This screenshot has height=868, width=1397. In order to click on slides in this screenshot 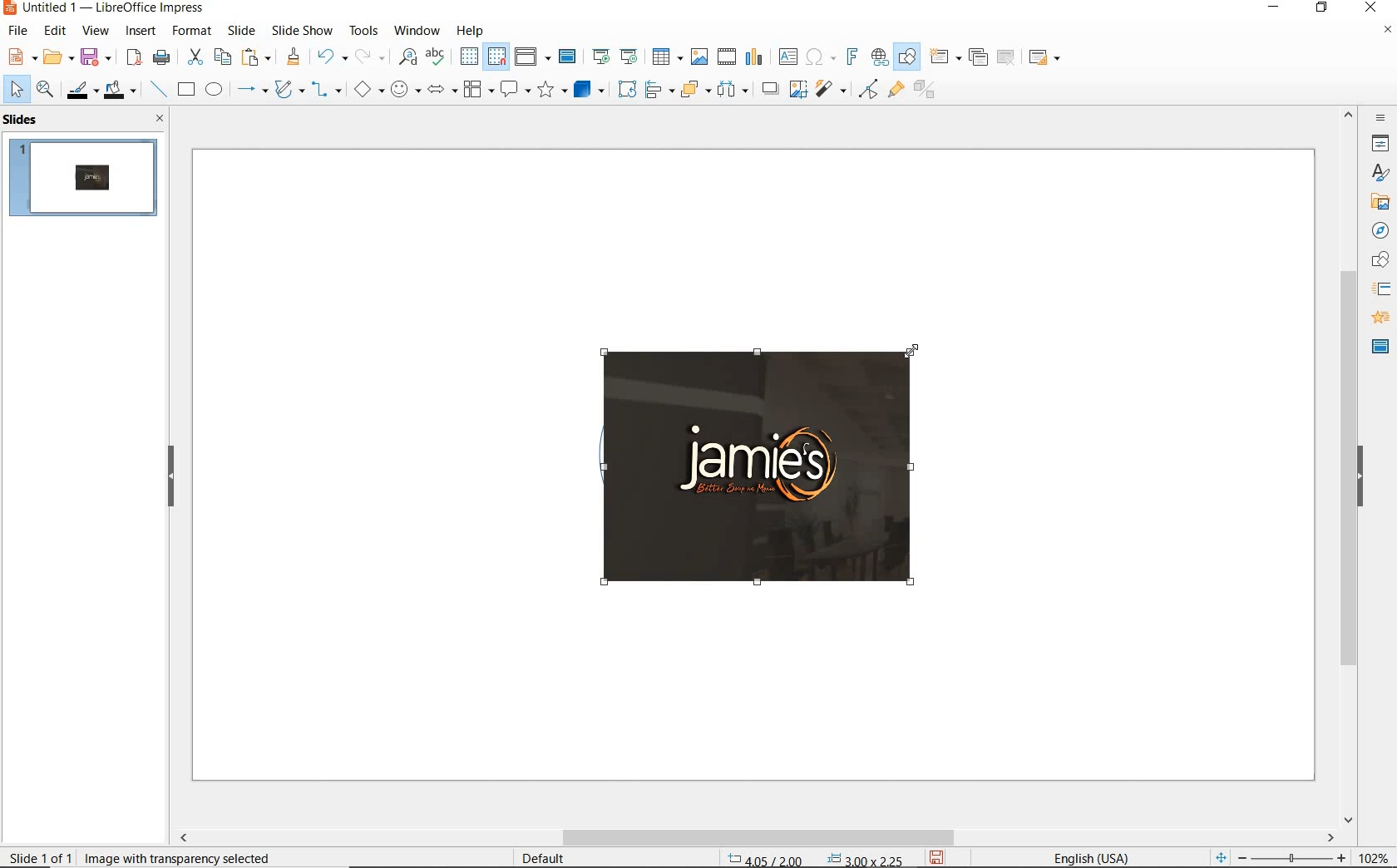, I will do `click(24, 120)`.